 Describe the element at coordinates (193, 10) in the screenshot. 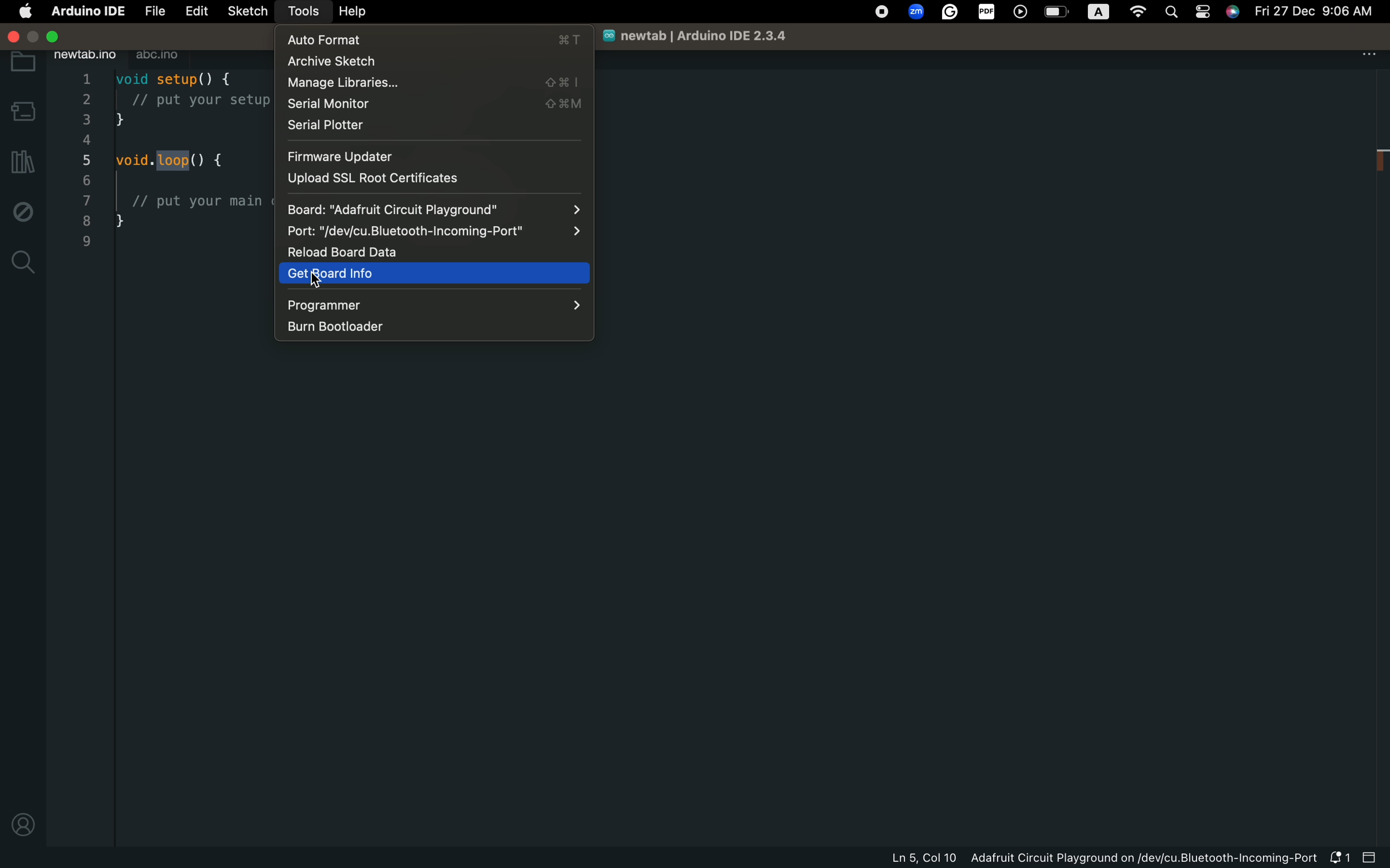

I see `edit` at that location.